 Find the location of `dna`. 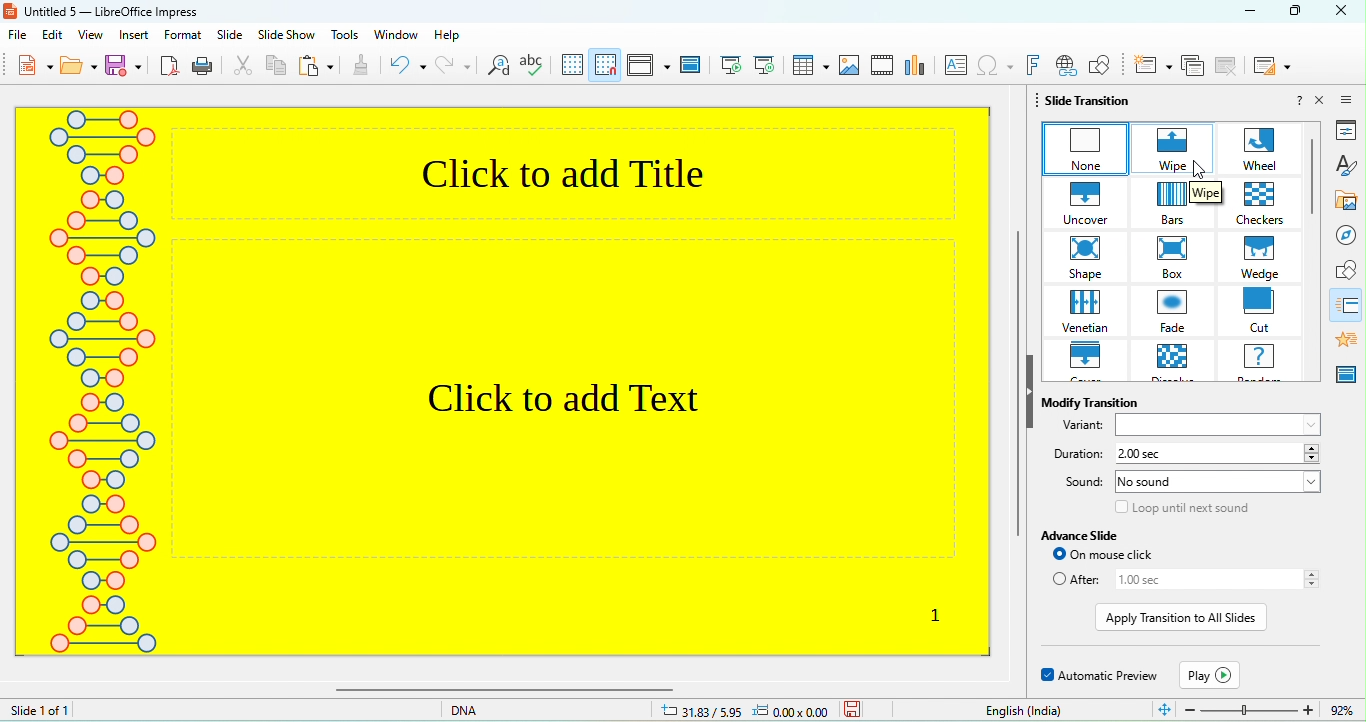

dna is located at coordinates (480, 711).